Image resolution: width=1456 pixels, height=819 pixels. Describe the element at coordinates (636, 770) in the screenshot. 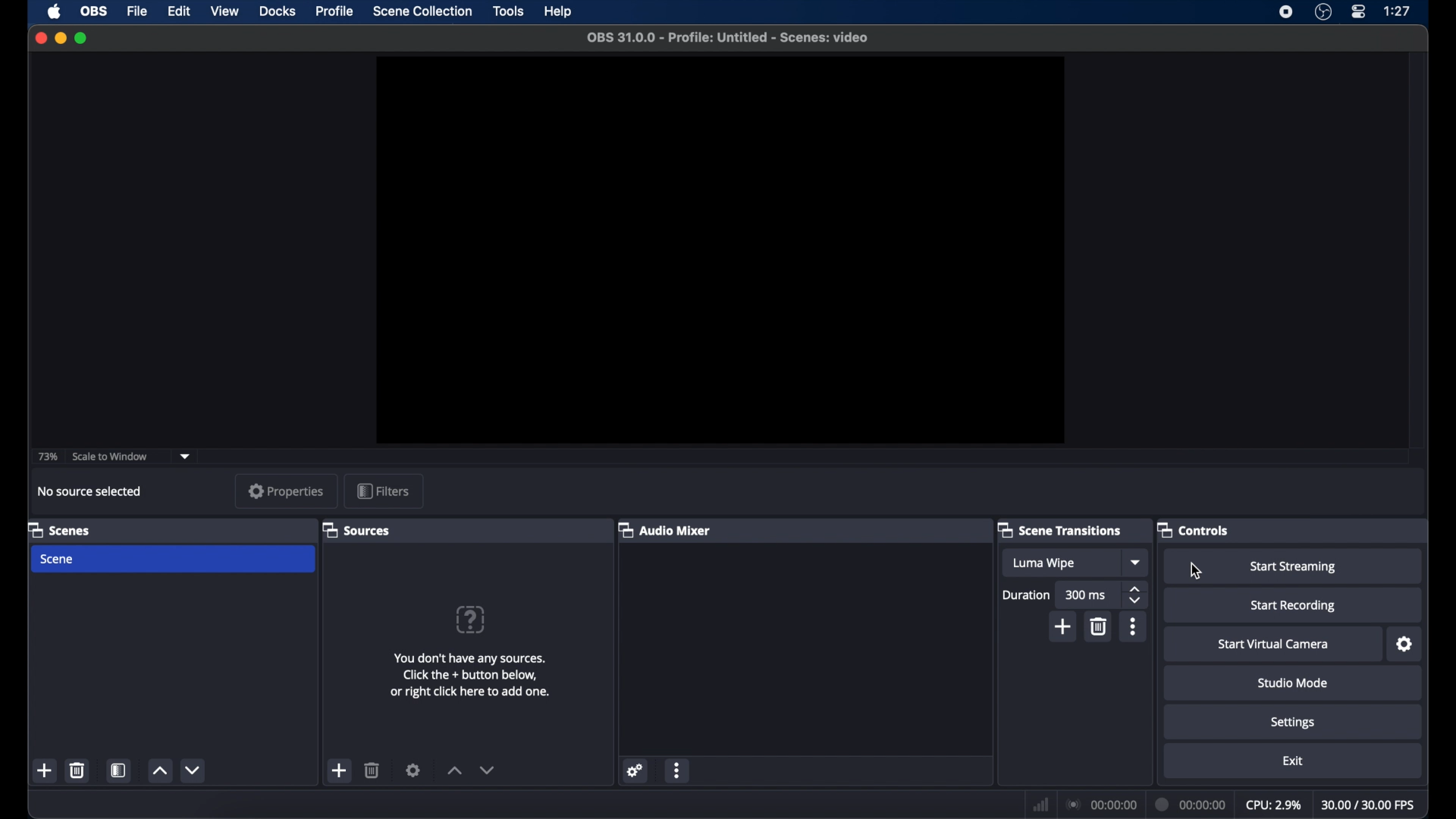

I see `settings` at that location.